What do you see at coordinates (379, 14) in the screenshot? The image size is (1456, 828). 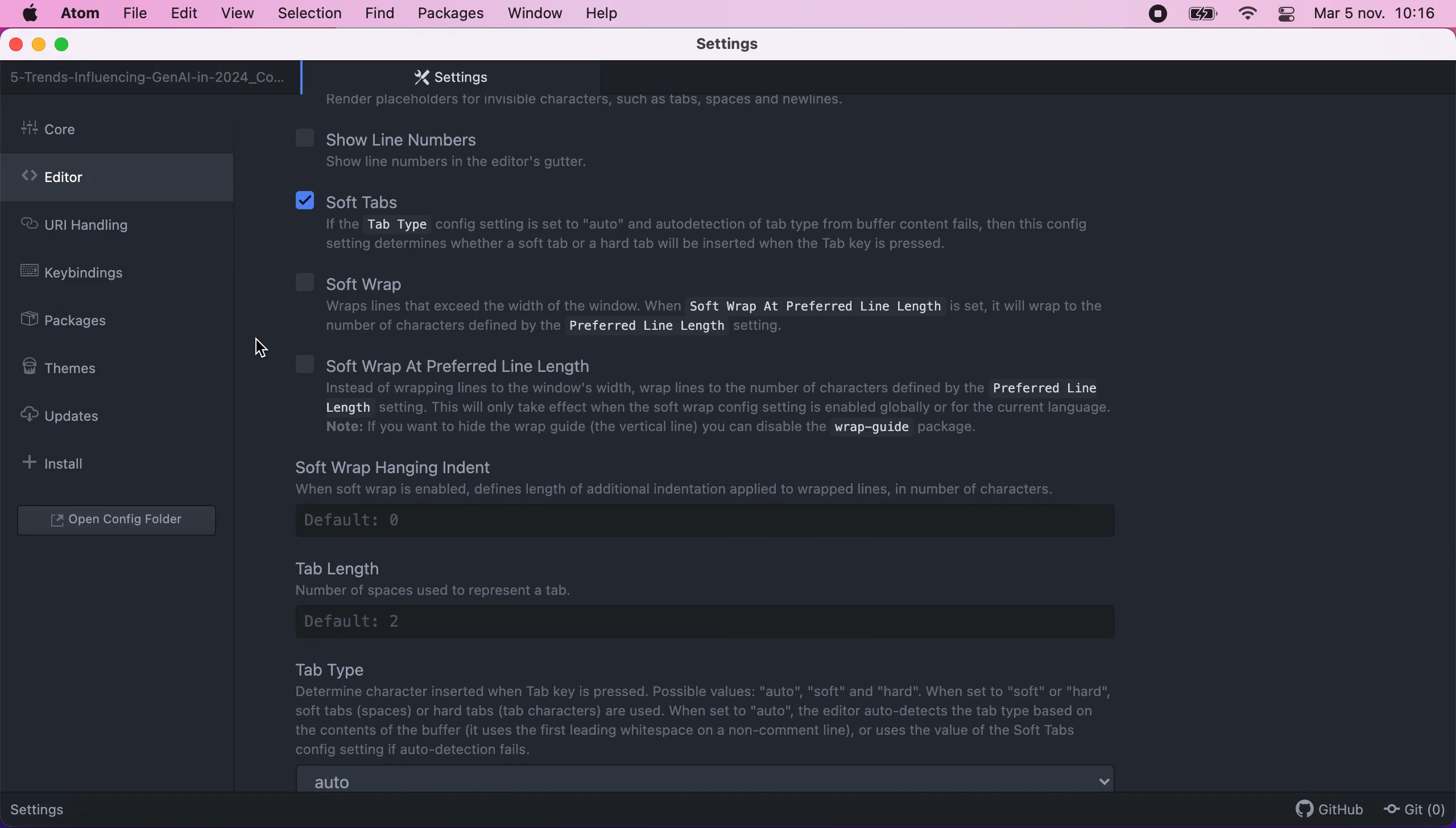 I see `find` at bounding box center [379, 14].